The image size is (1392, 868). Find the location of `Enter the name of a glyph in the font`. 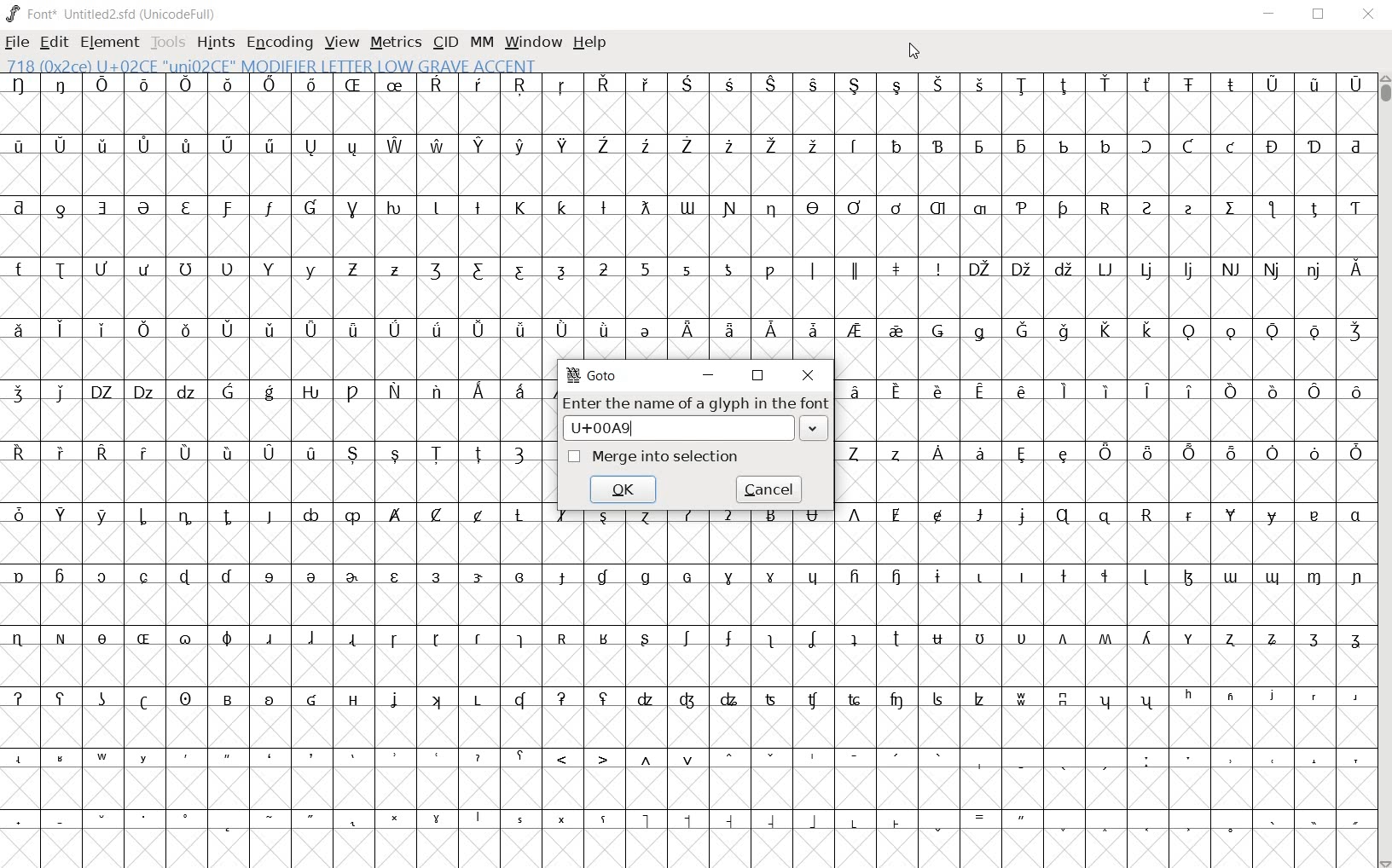

Enter the name of a glyph in the font is located at coordinates (694, 418).